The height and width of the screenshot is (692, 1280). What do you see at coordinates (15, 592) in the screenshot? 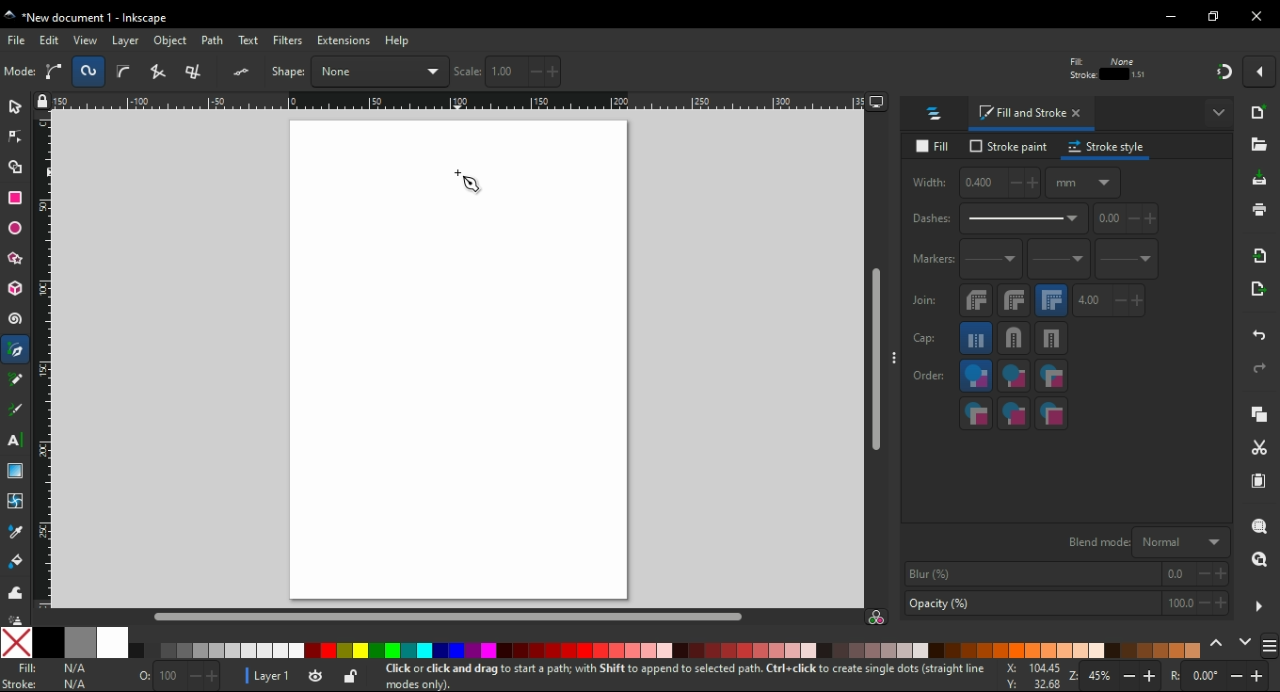
I see `tweak tool` at bounding box center [15, 592].